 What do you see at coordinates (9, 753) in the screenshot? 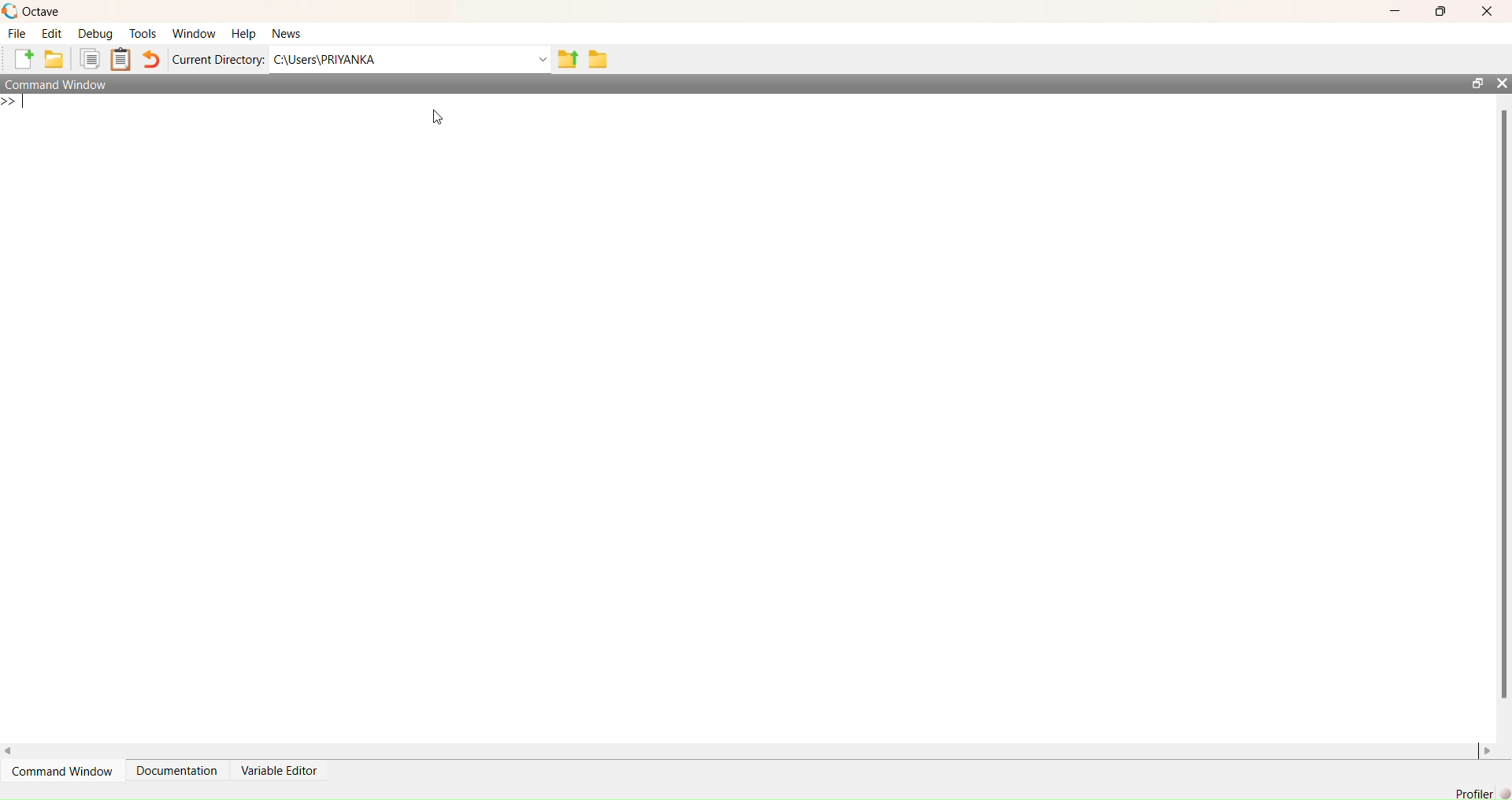
I see `scroll left` at bounding box center [9, 753].